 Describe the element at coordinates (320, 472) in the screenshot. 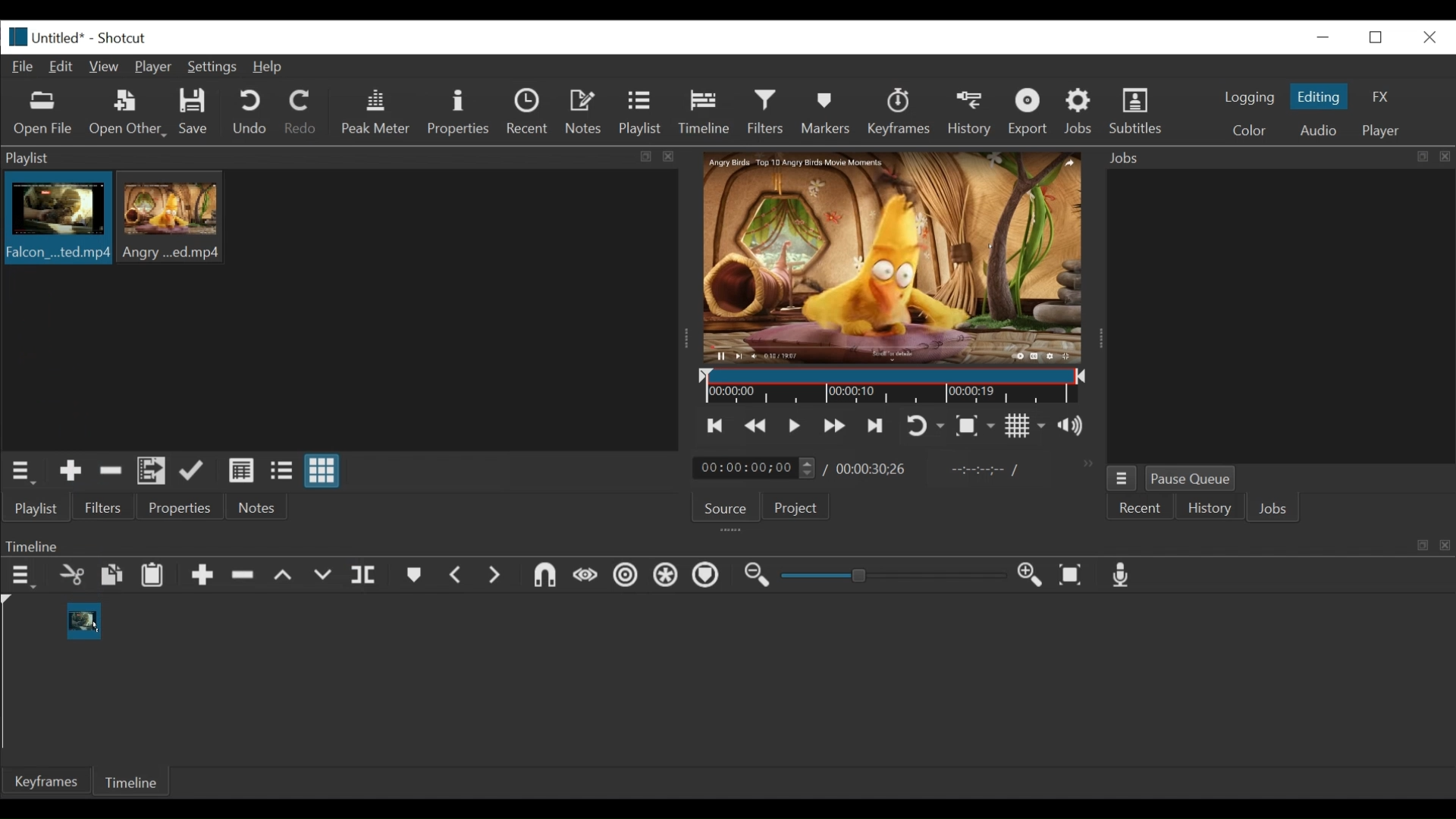

I see `view as icons` at that location.